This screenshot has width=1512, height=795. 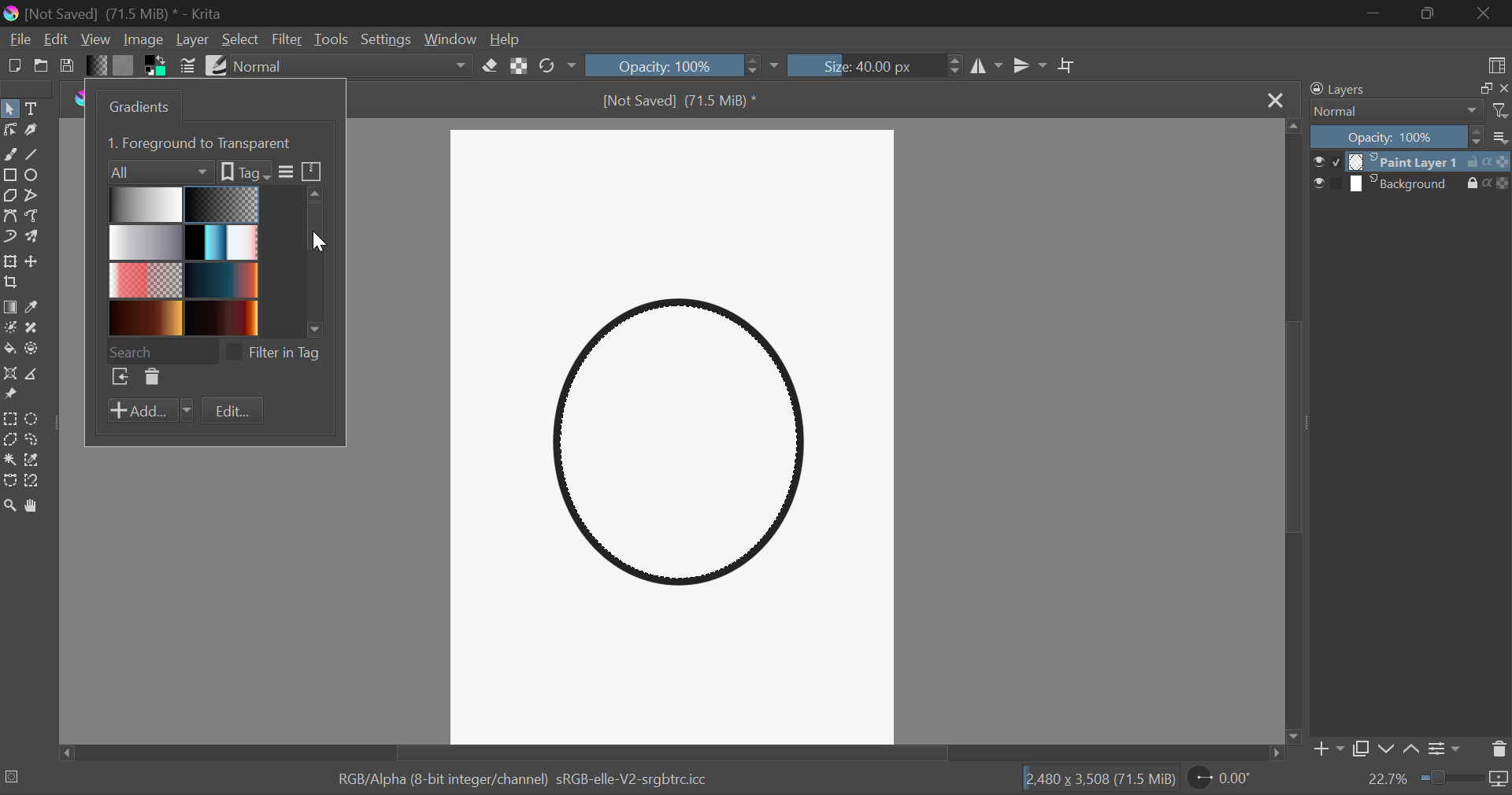 What do you see at coordinates (10, 216) in the screenshot?
I see `Bezier Curve` at bounding box center [10, 216].